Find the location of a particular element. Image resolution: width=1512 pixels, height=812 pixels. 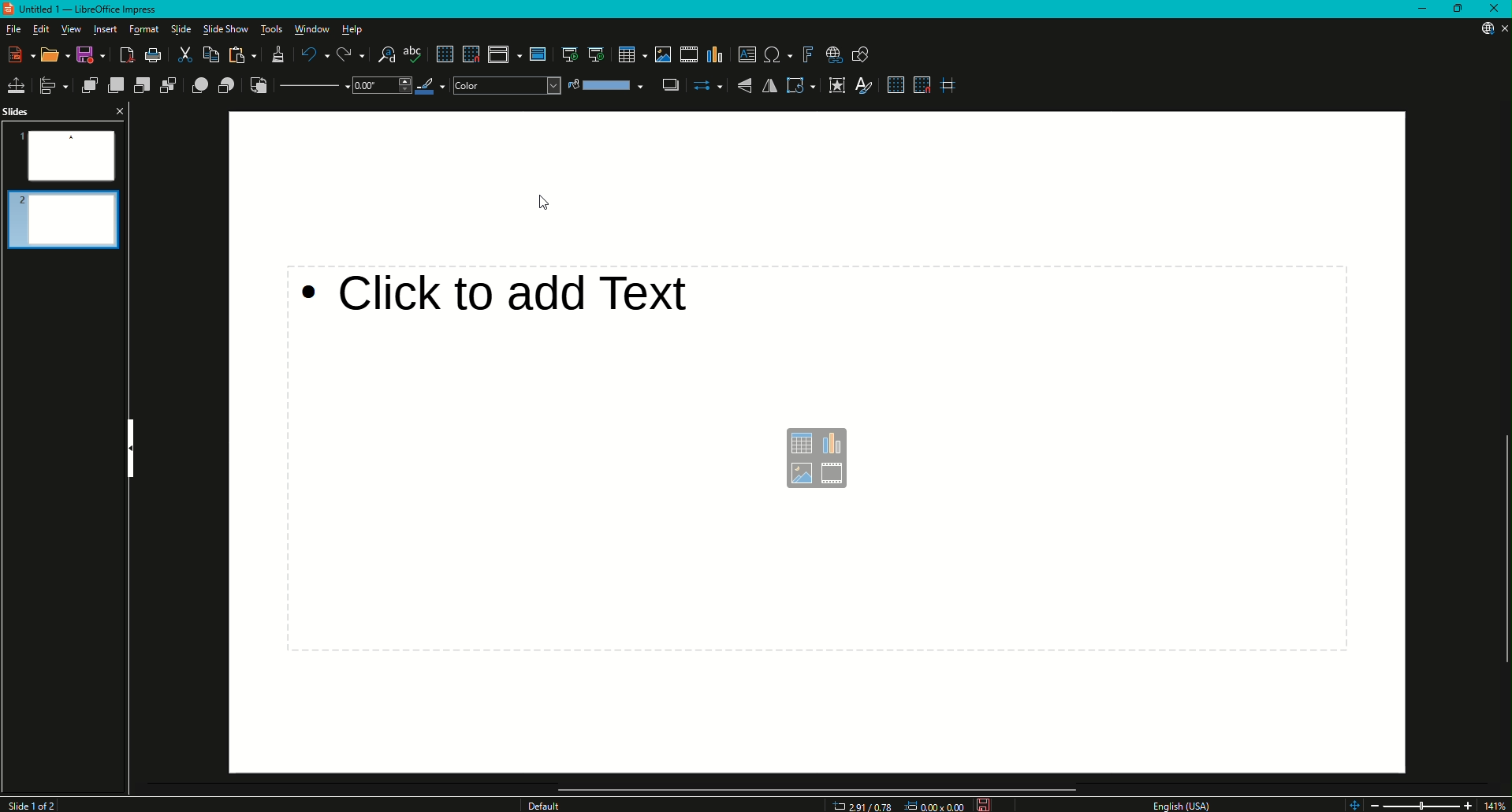

Fill Colour is located at coordinates (607, 85).